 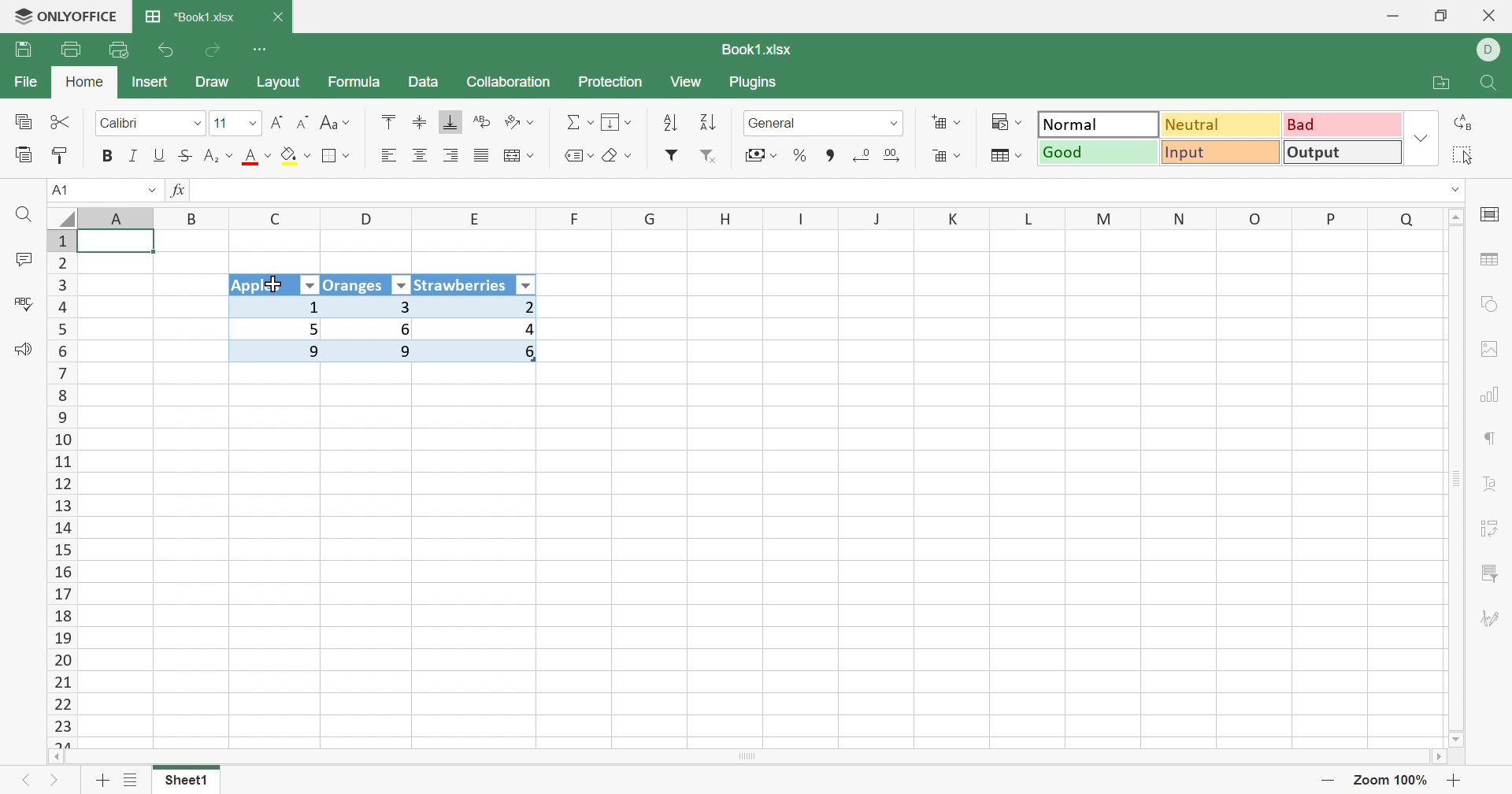 What do you see at coordinates (195, 218) in the screenshot?
I see `B` at bounding box center [195, 218].